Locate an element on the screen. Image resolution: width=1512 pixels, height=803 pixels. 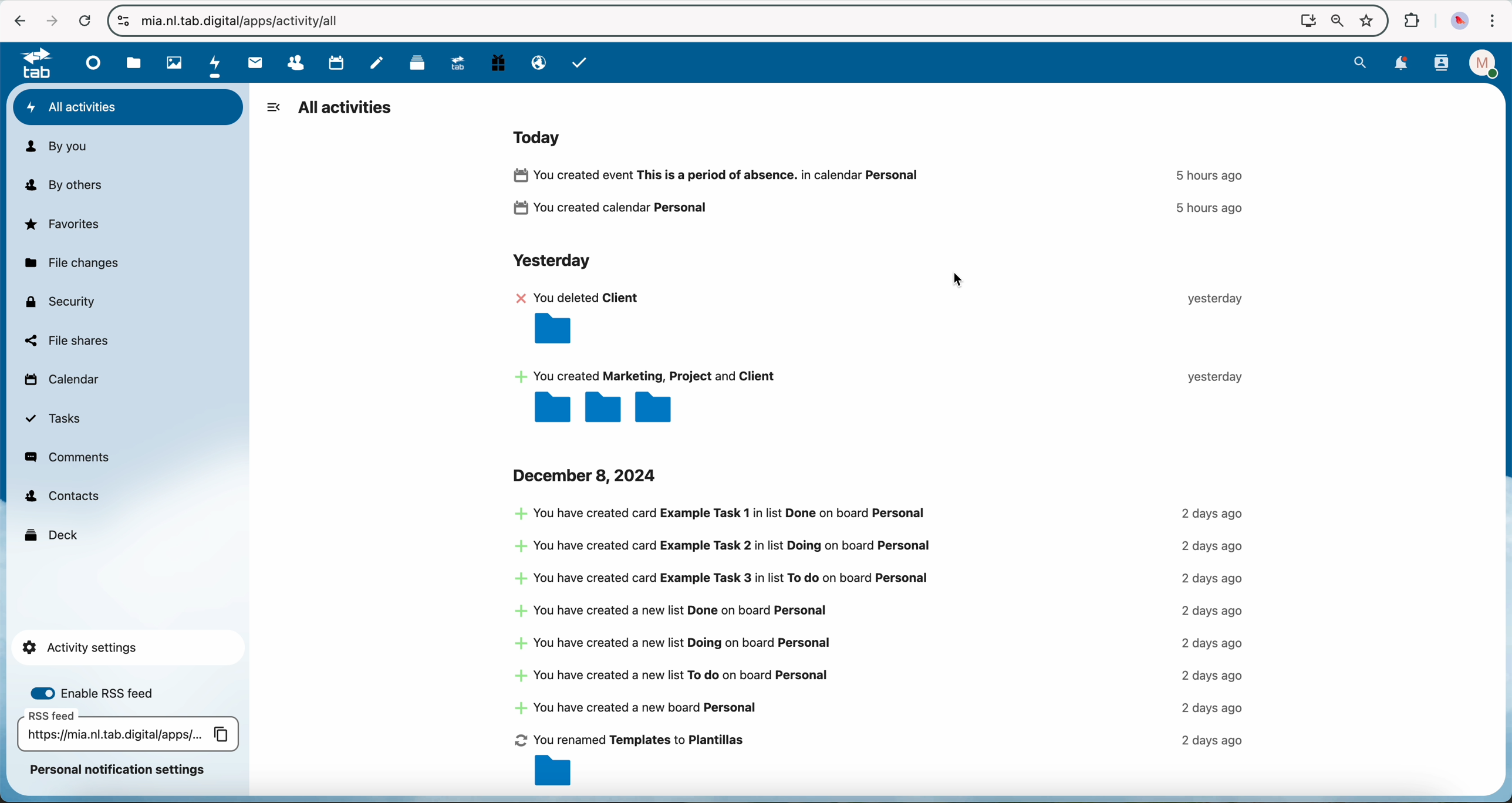
contacts is located at coordinates (62, 497).